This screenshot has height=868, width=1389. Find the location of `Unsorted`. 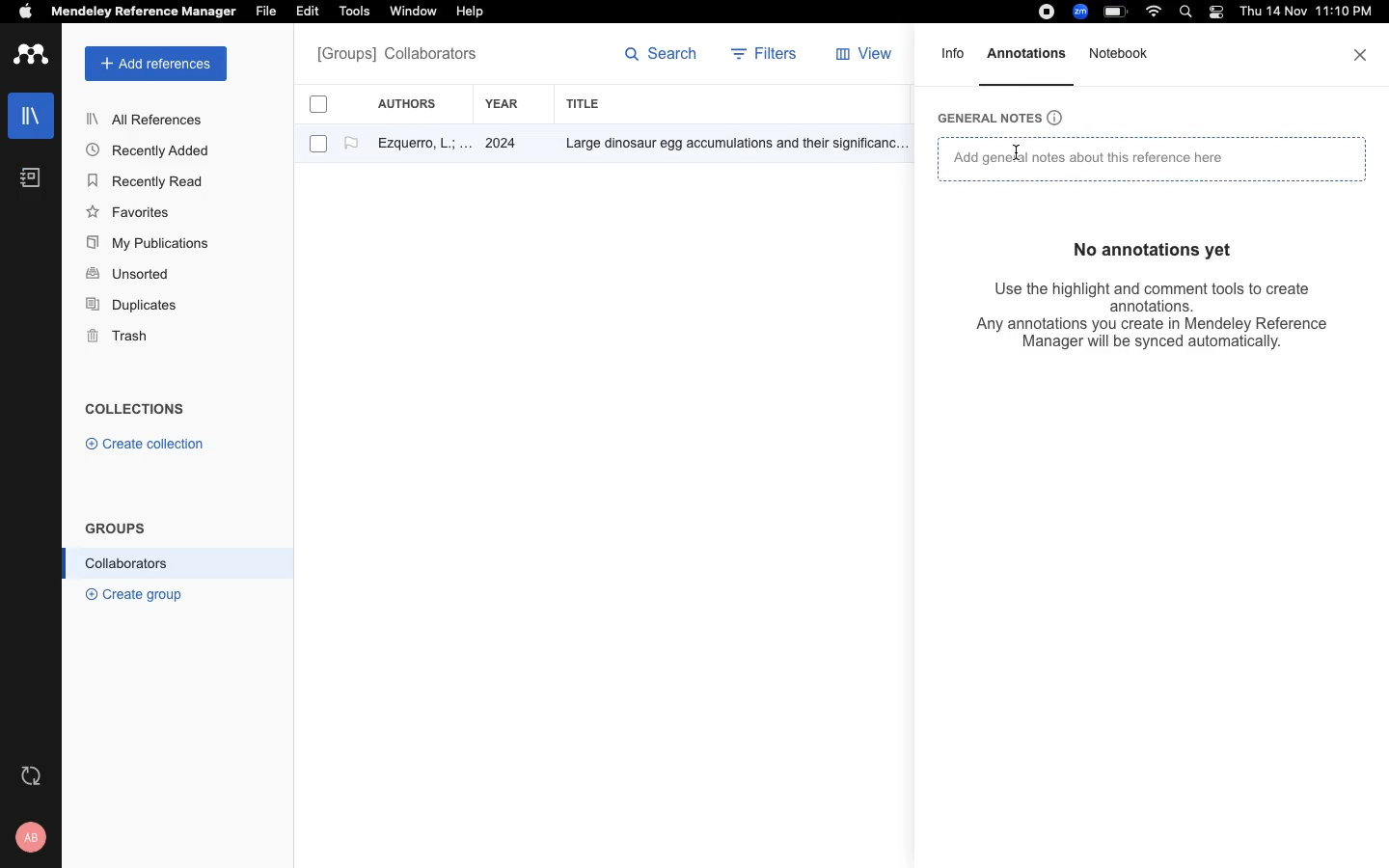

Unsorted is located at coordinates (130, 275).